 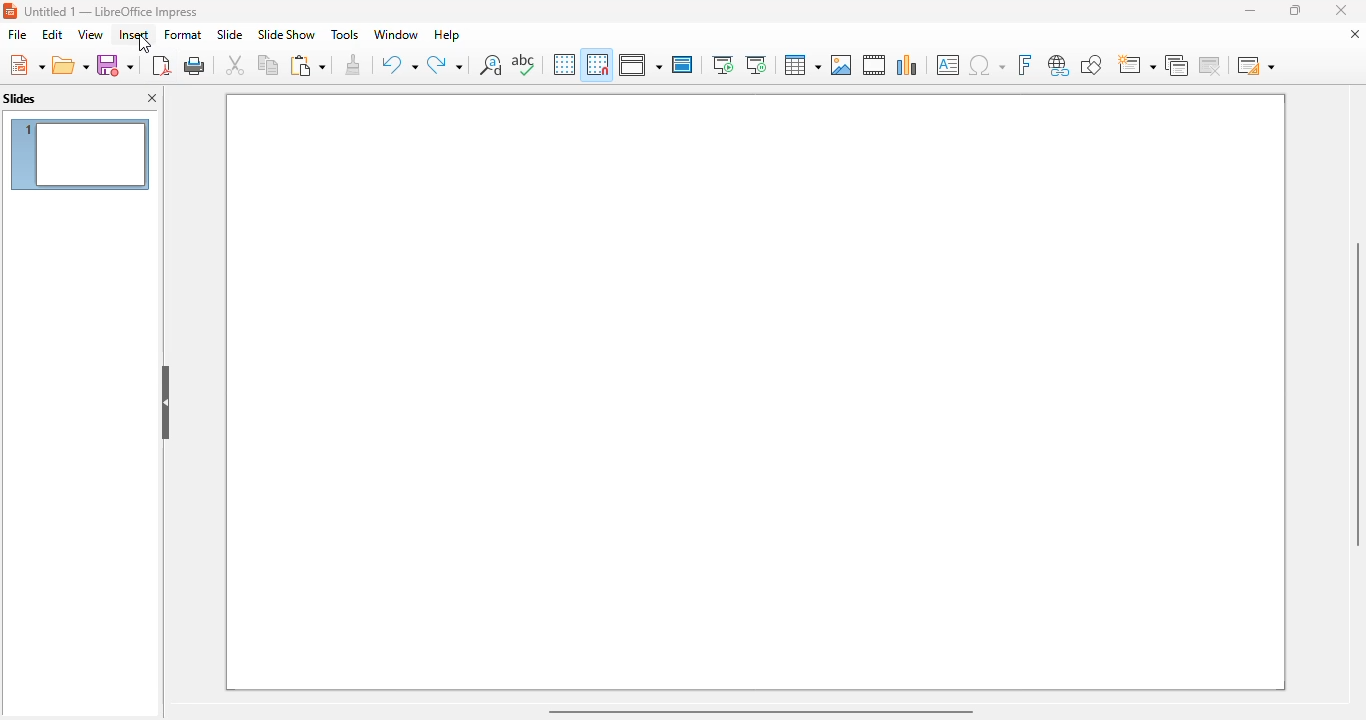 What do you see at coordinates (907, 64) in the screenshot?
I see `insert chart` at bounding box center [907, 64].